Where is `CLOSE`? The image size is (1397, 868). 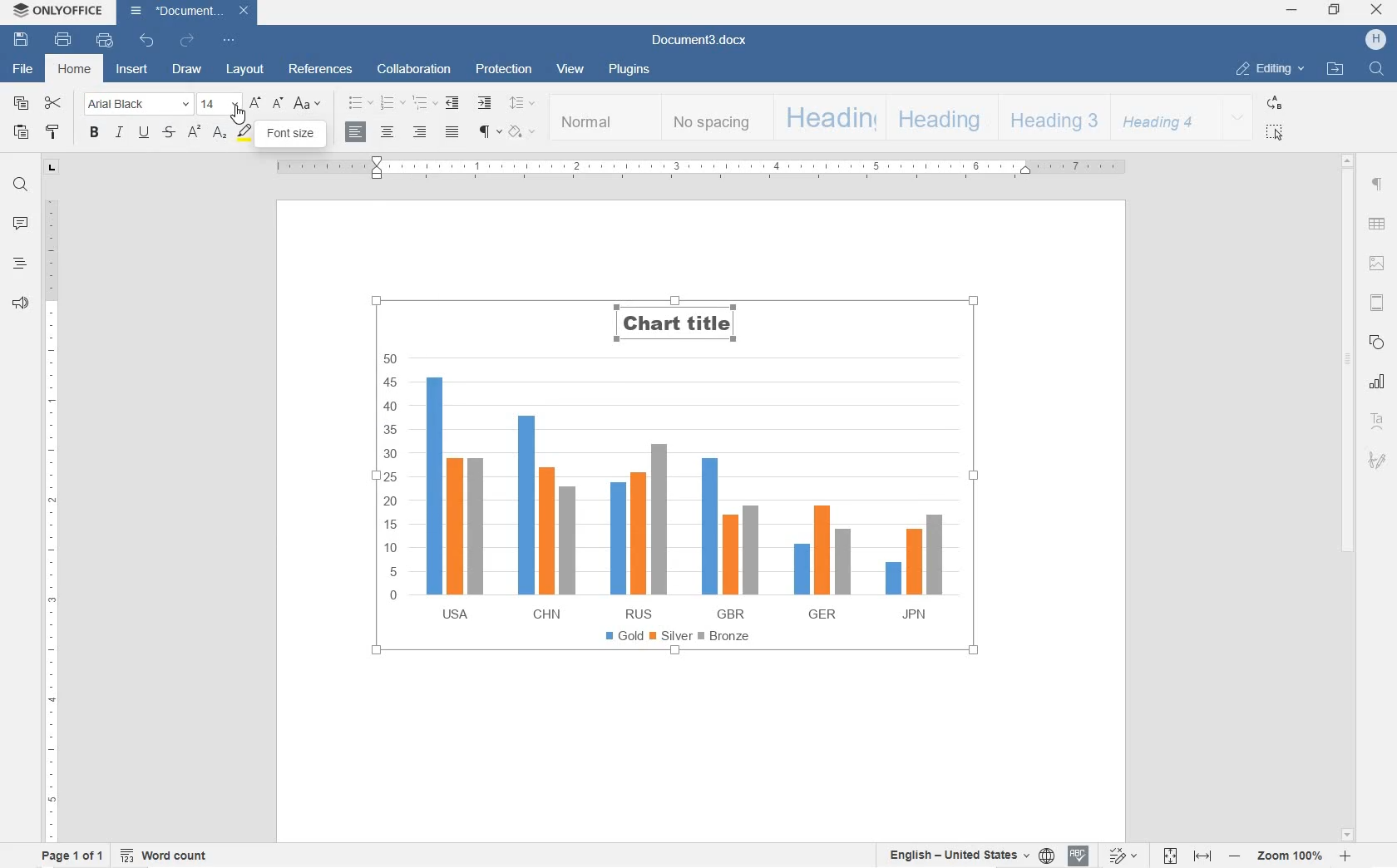
CLOSE is located at coordinates (1379, 11).